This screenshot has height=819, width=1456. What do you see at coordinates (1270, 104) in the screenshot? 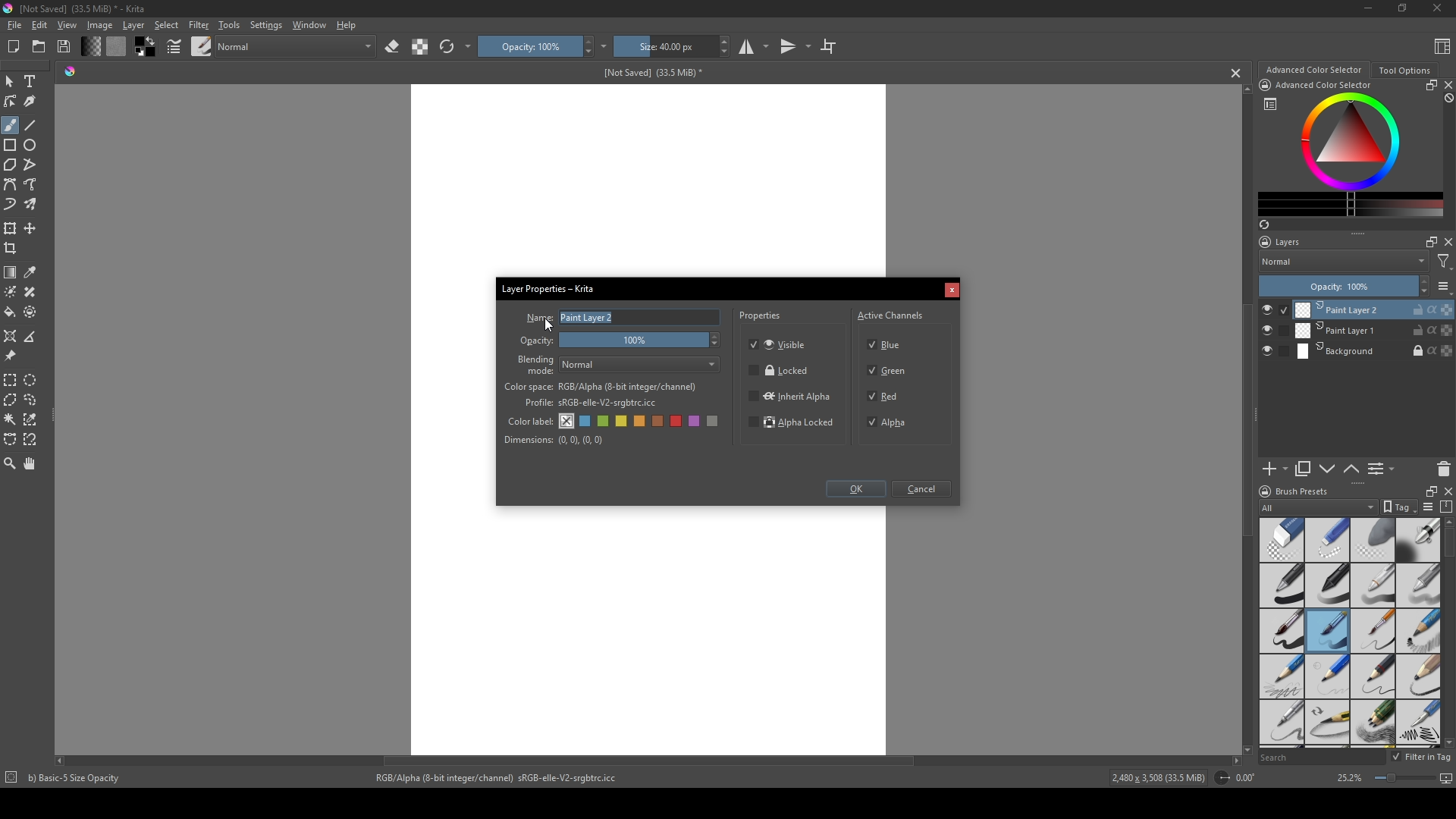
I see `list` at bounding box center [1270, 104].